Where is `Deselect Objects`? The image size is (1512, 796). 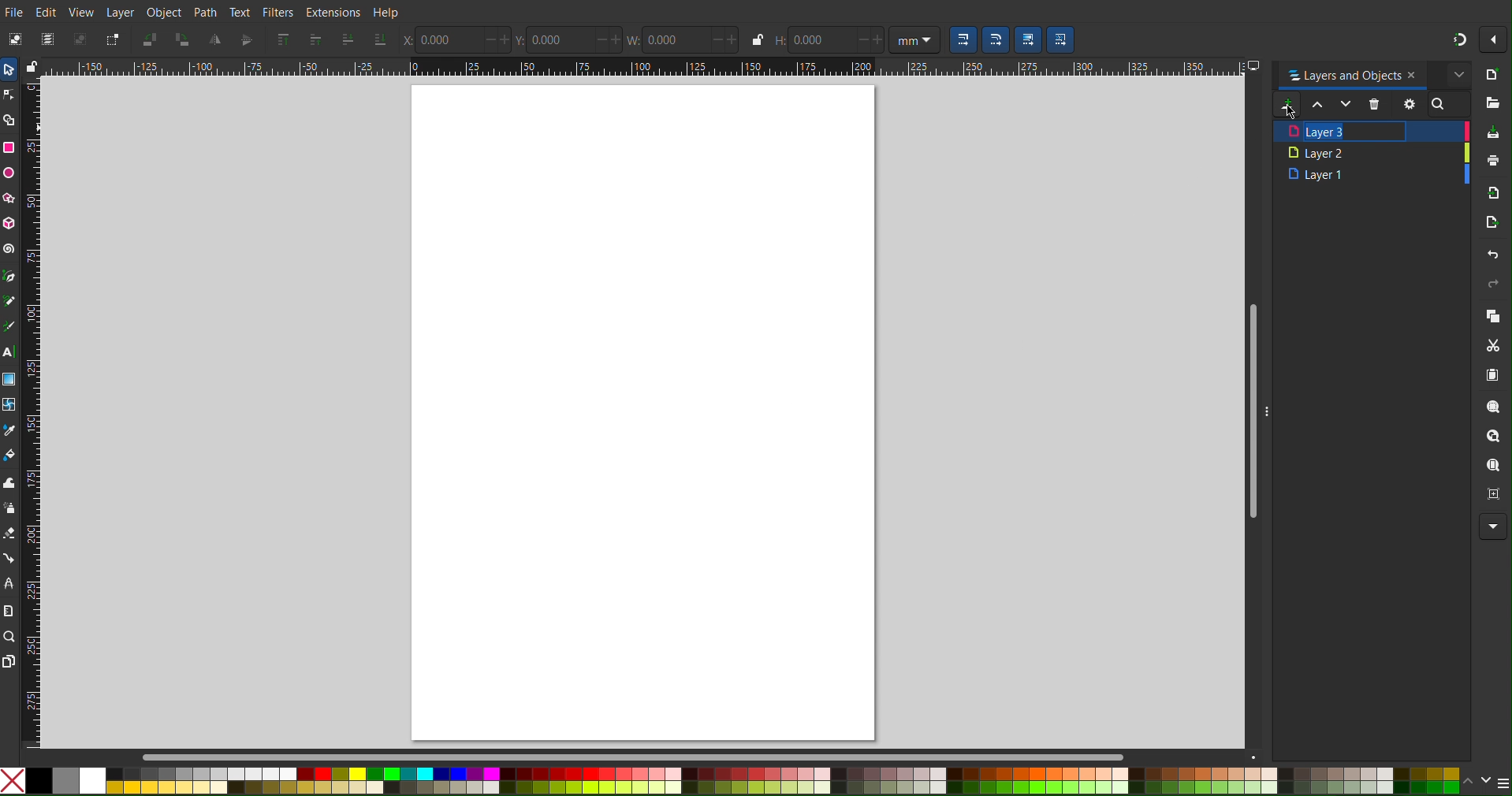
Deselect Objects is located at coordinates (80, 39).